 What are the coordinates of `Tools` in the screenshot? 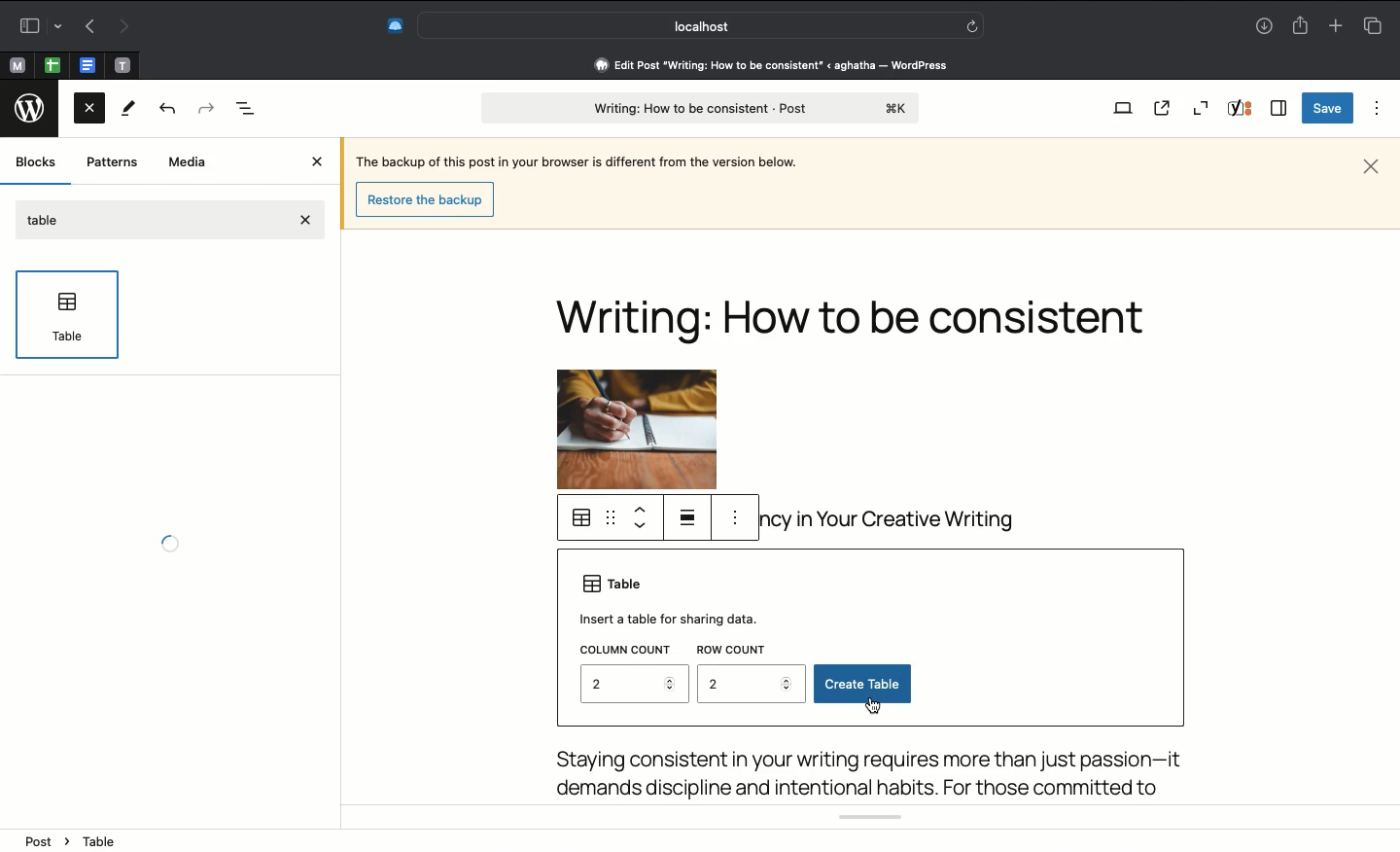 It's located at (130, 108).